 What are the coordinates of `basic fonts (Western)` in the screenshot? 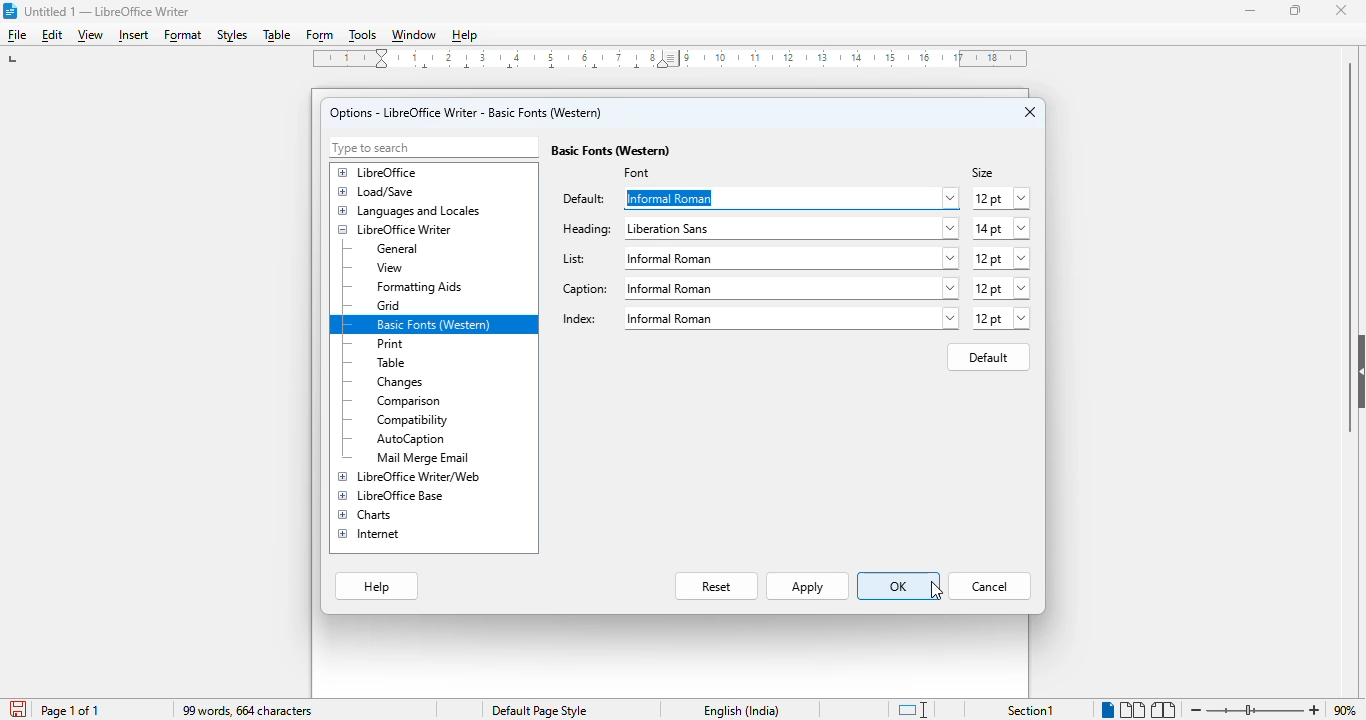 It's located at (611, 150).